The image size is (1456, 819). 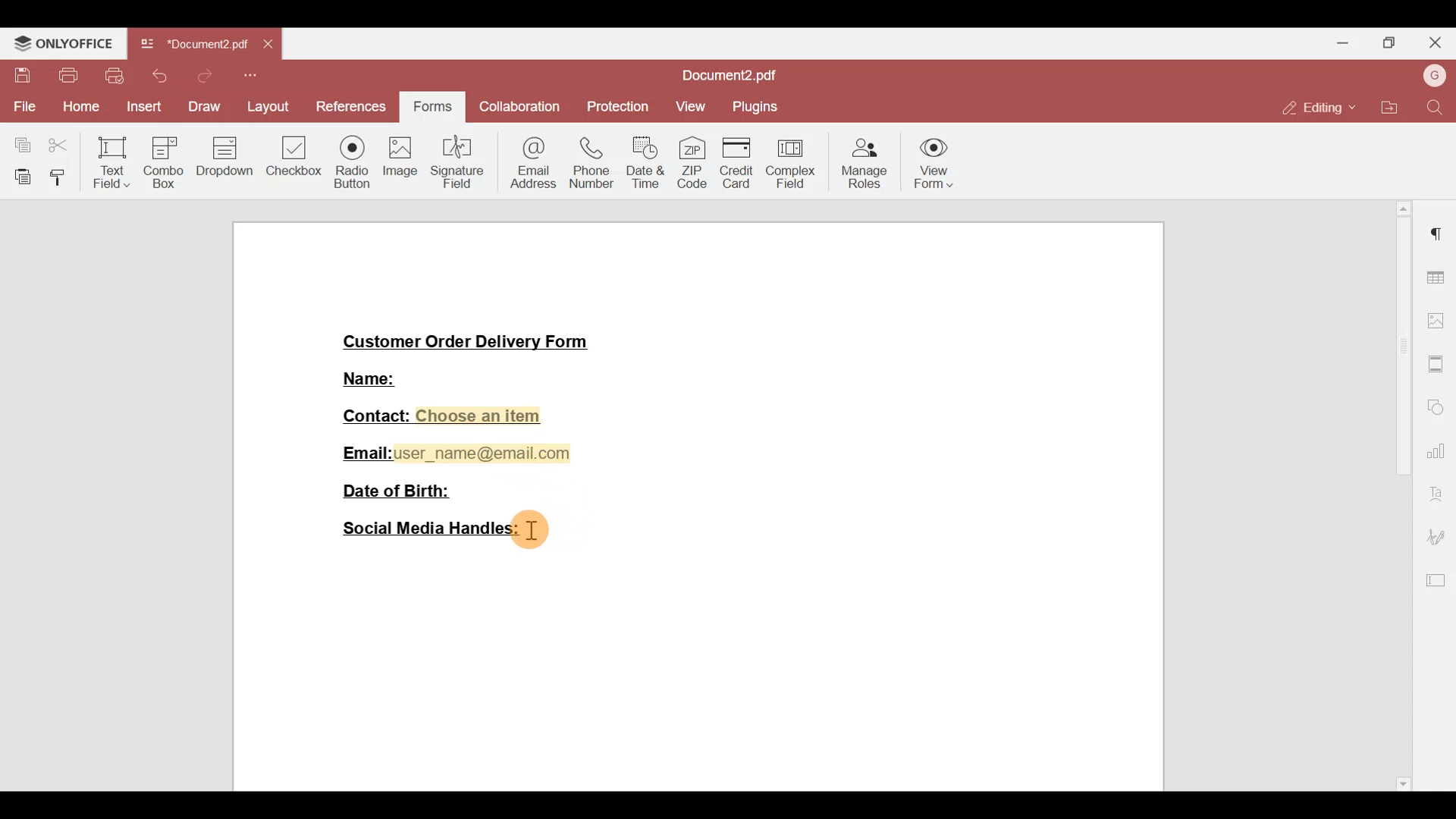 What do you see at coordinates (204, 105) in the screenshot?
I see `Draw` at bounding box center [204, 105].